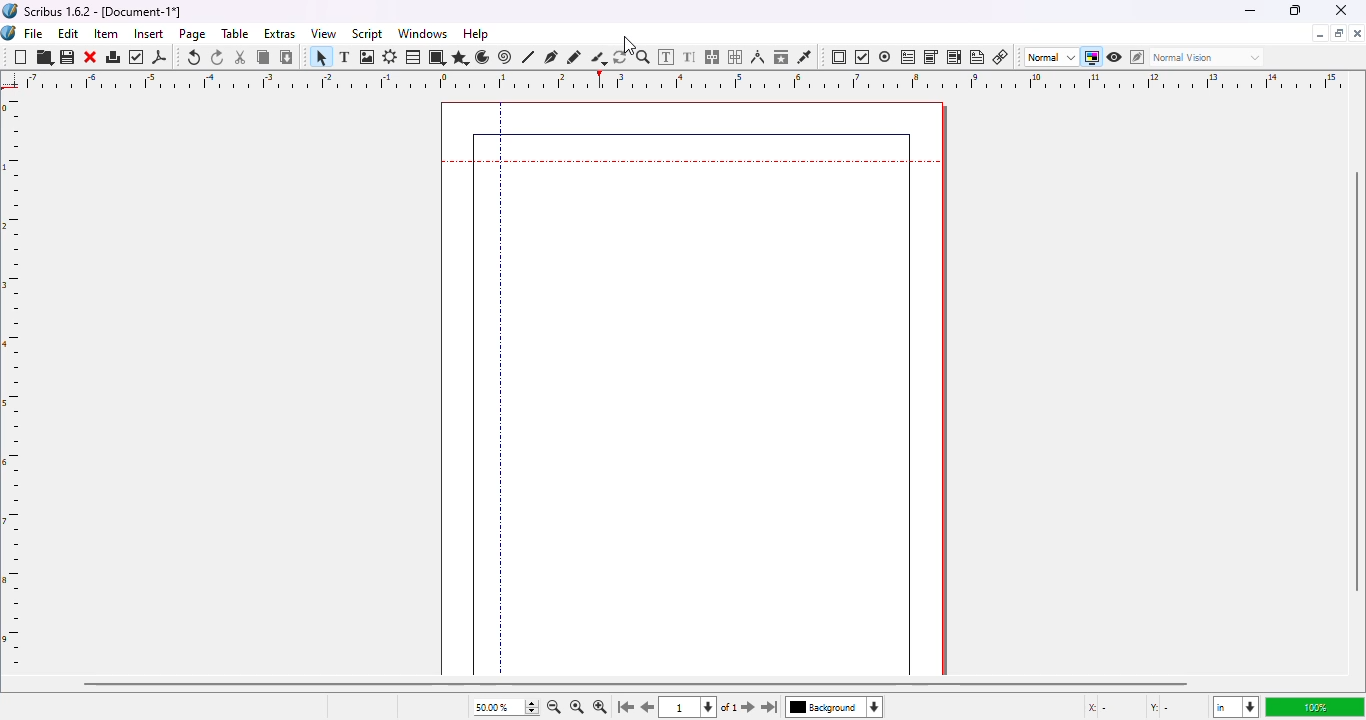  What do you see at coordinates (15, 382) in the screenshot?
I see `ruler` at bounding box center [15, 382].